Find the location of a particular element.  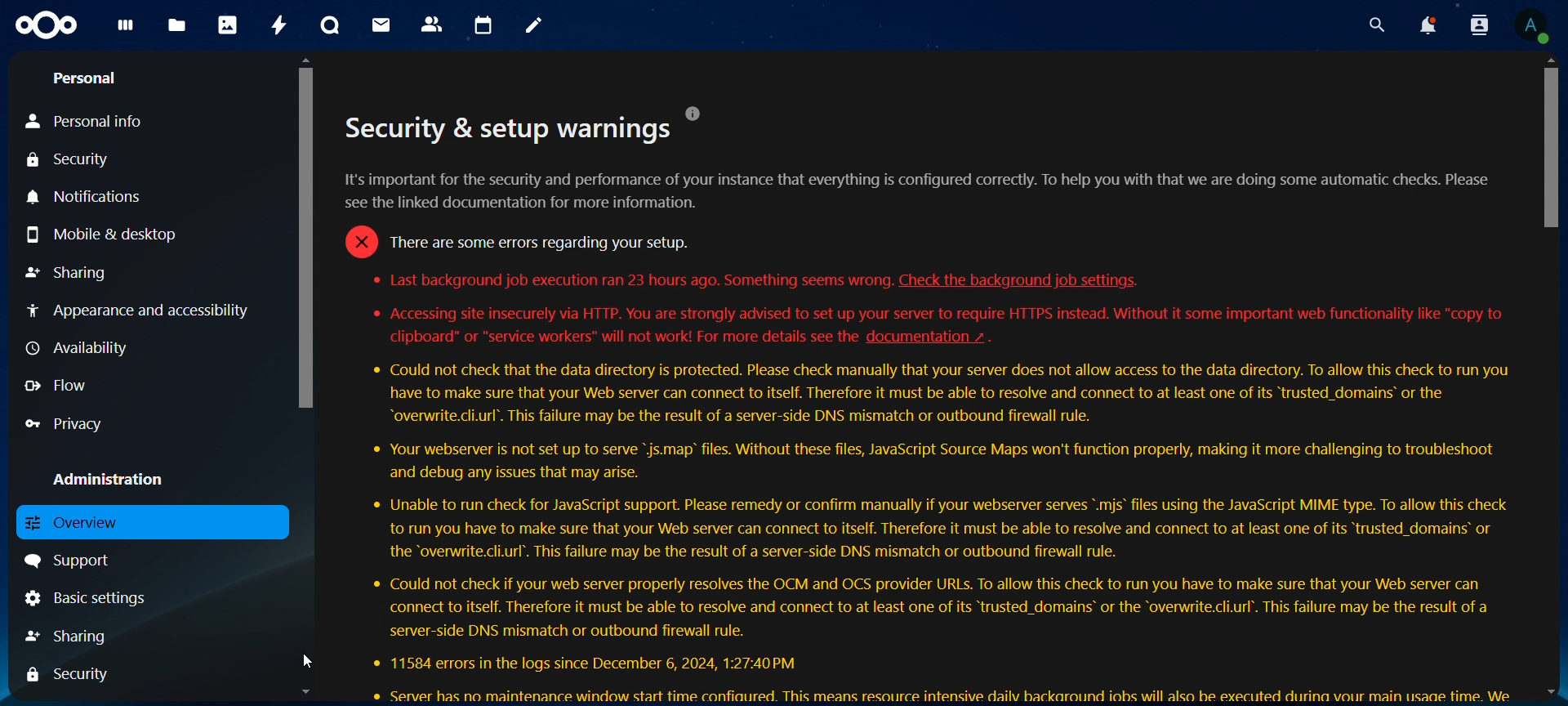

. . [J]
Security & setup warnings
t's important for the security and performance of your instance that everything is configured correctly. To help you with that we are doing some automatic checks. Please
ee the linked documentation for more information.
= There are some errors regarding your setup.

* Last background job execution ran 23 hours ago. Something seems wrong. Check the background job settings.

* Accessing site insecurely via HTTP. You are strongly advised to set up your server to require HTTPS instead. Without it some important web functionality like "copy to
clipboard" or “service workers" will not work! For more details see the documentation ~ .

* Could not check that the data directory is protected. Please check manually that your server does not allow access to the data directory. To allow this check to run you
have to make sure that your Web server can connect to itself. Therefore it must be able to resolve and connect to at least one of its “trusted_domains’ or the
“overwrite.cli.url’. This failure may be the result of a server-side DNS mismatch or outbound firewall rule.

* Your webserver is not set up to serve "js.map’ files. Without these files, JavaScript Source Maps won't function properly, making it more challenging to troubleshoot
and debug any issues that may arise.

* Unable to run check for JavaScript support. Please remedy or confirm manually if your webserver serves *.mis’ files using the JavaScript MIME type. To allow this check
to run you have to make sure that your Web server can connect to itself. Therefore it must be able to resolve and connect to at least one of its “trusted_domains’ or
the “overwrite.cli.url’. This failure may be the result of a server-side DNS mismatch or outbound firewall rule.

* Could not check if your web server properly resolves the OCM and OCS provider URLs. To allow this check to run you have to make sure that your Web server can
connect to itself. Therefore it must be able to resolve and connect to at least one of its “trusted_domains’ or the “overwrite.cli.url’. This failure may be the result of a
server-side DNS mismatch or outbound firewall rule.

* 11584 errors in the logs since December 6, 2024, 1:27:40 PM

® Server has no maintenance window start time confiaured. This means resource intensive dailv backaround iobs will also be executed durina vour main usaae time. We is located at coordinates (932, 400).